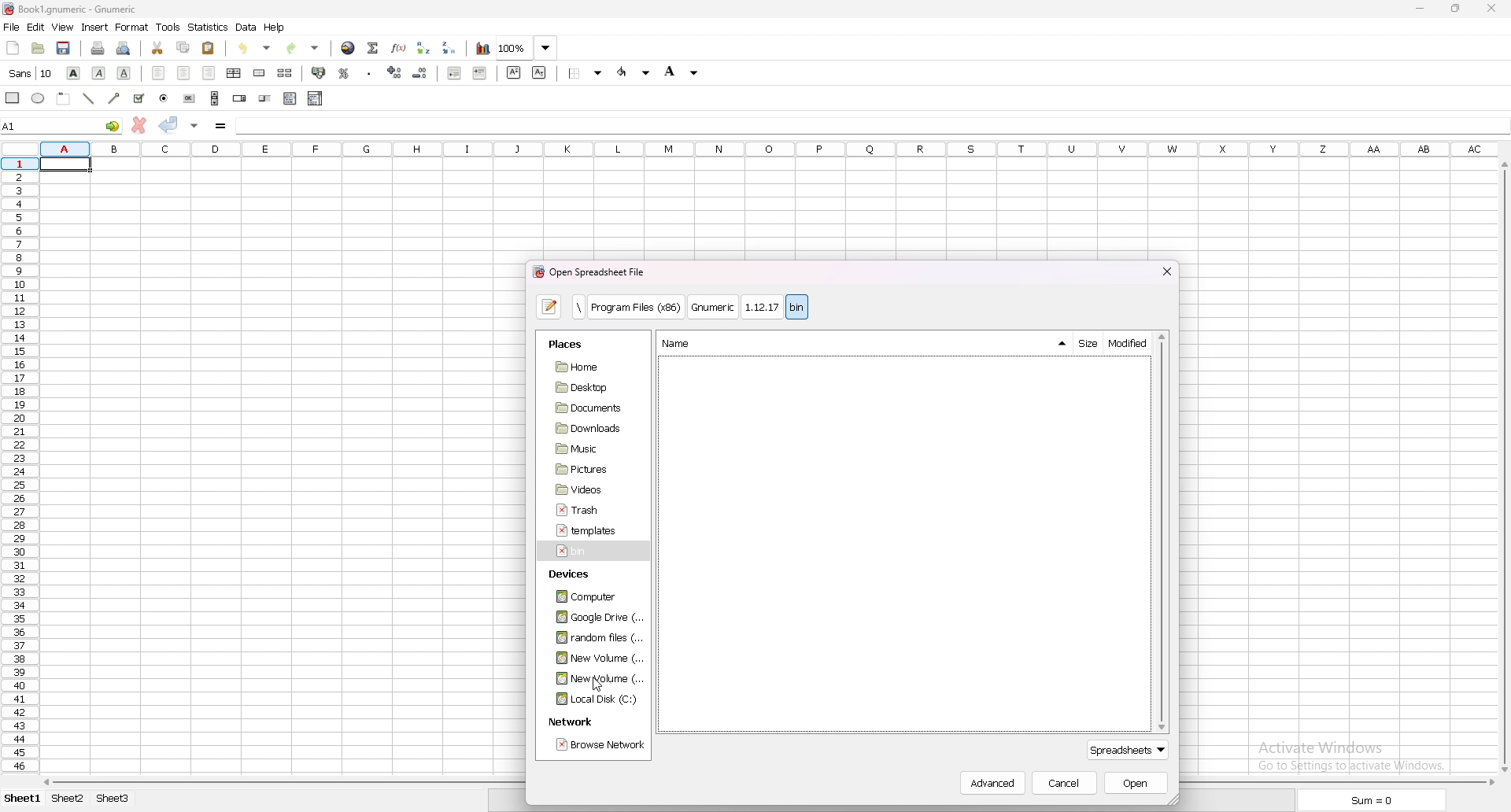 The image size is (1511, 812). Describe the element at coordinates (285, 73) in the screenshot. I see `split merged cell` at that location.